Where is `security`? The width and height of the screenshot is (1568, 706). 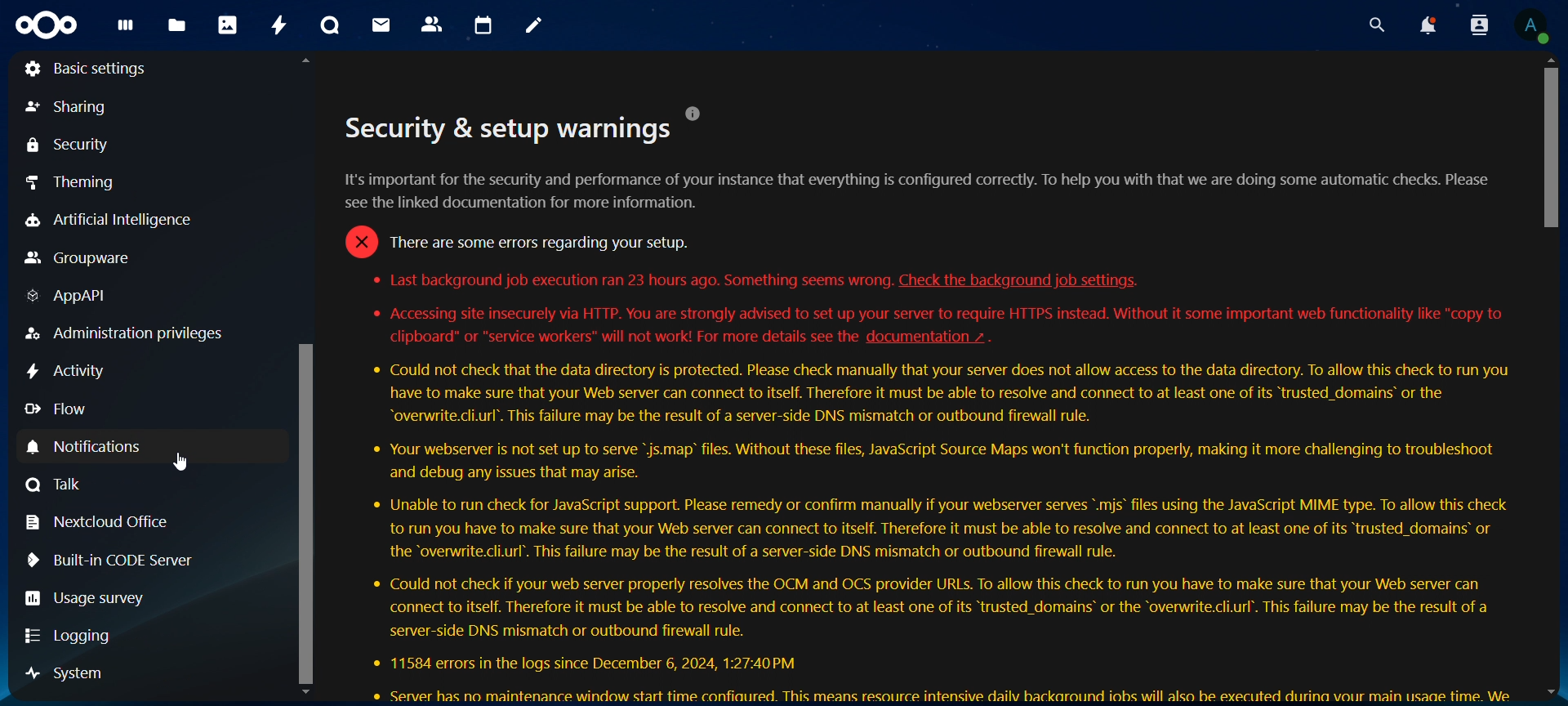 security is located at coordinates (73, 147).